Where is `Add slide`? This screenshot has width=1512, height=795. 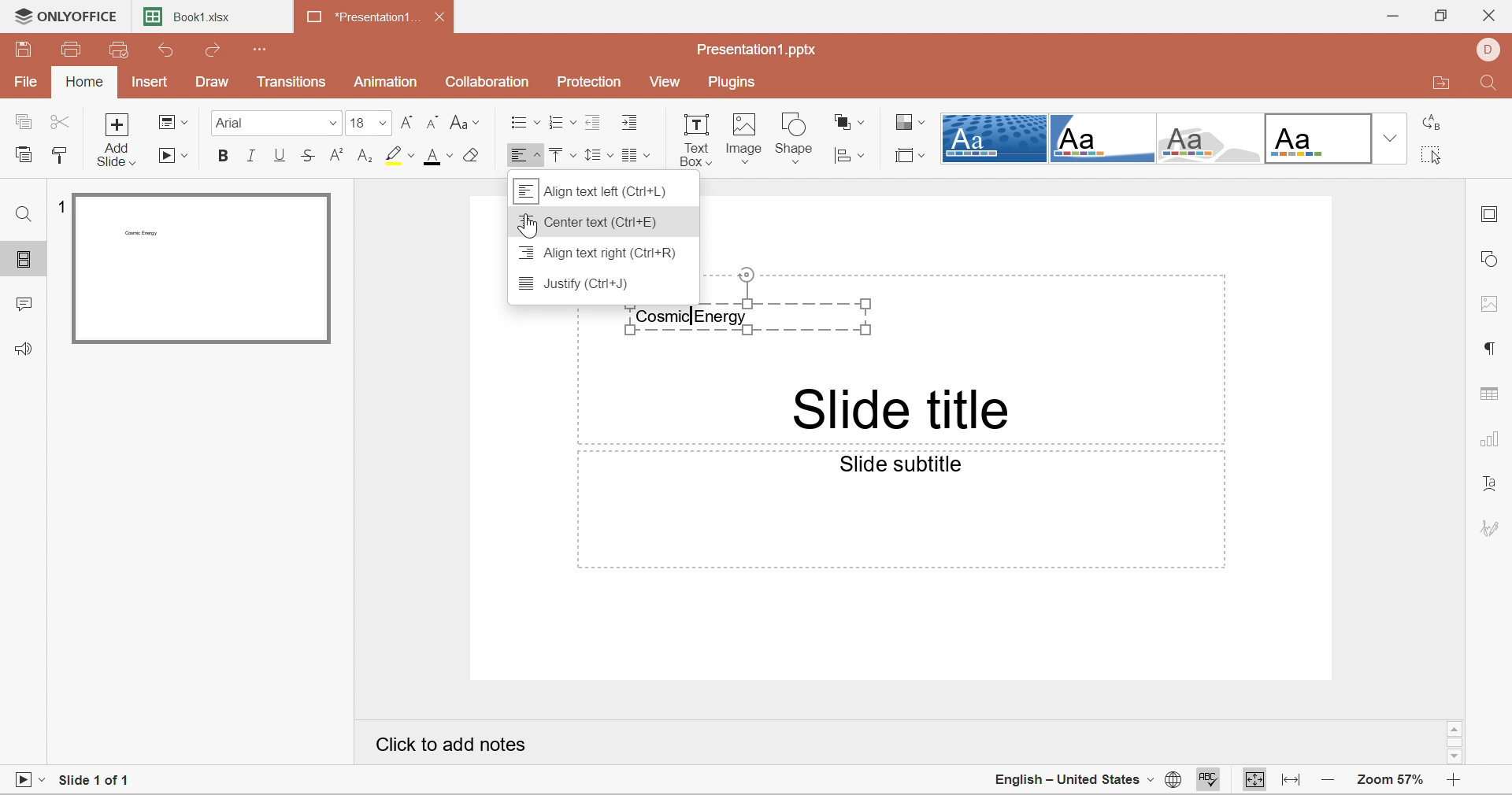
Add slide is located at coordinates (120, 140).